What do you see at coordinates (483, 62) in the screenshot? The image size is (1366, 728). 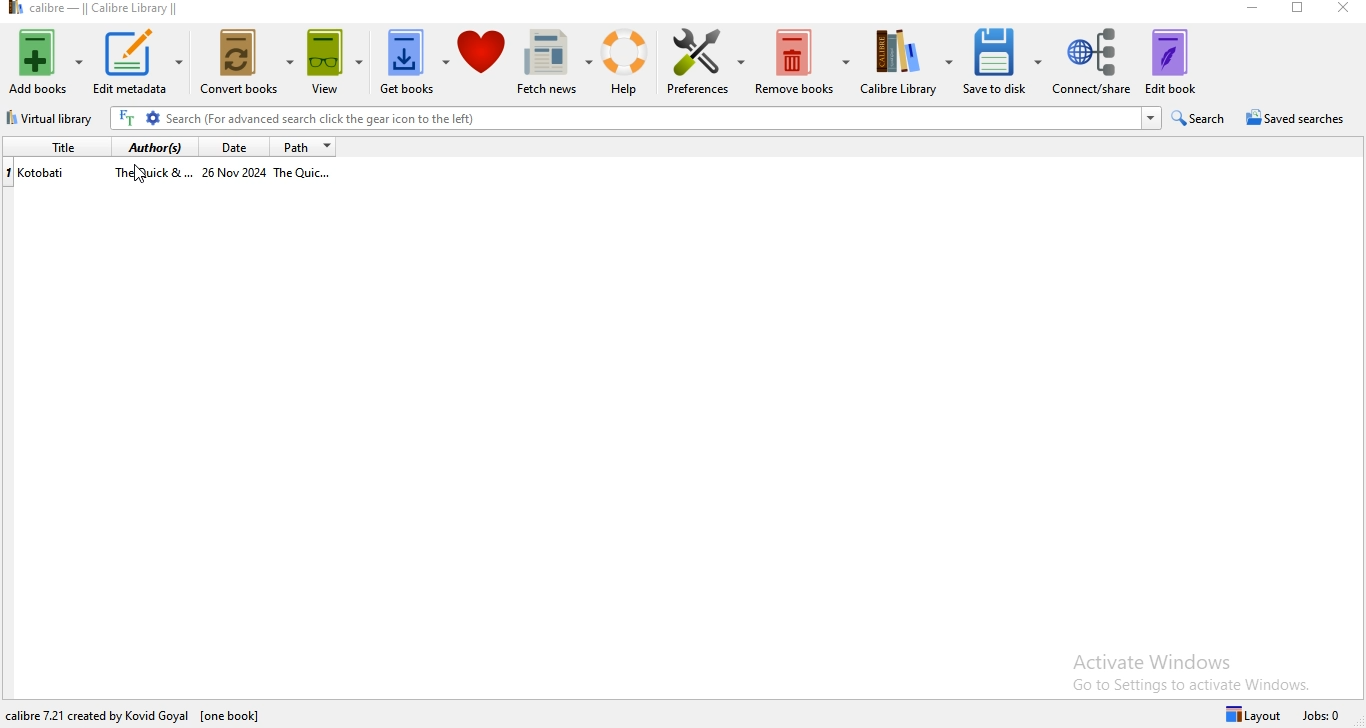 I see `donate to calibre` at bounding box center [483, 62].